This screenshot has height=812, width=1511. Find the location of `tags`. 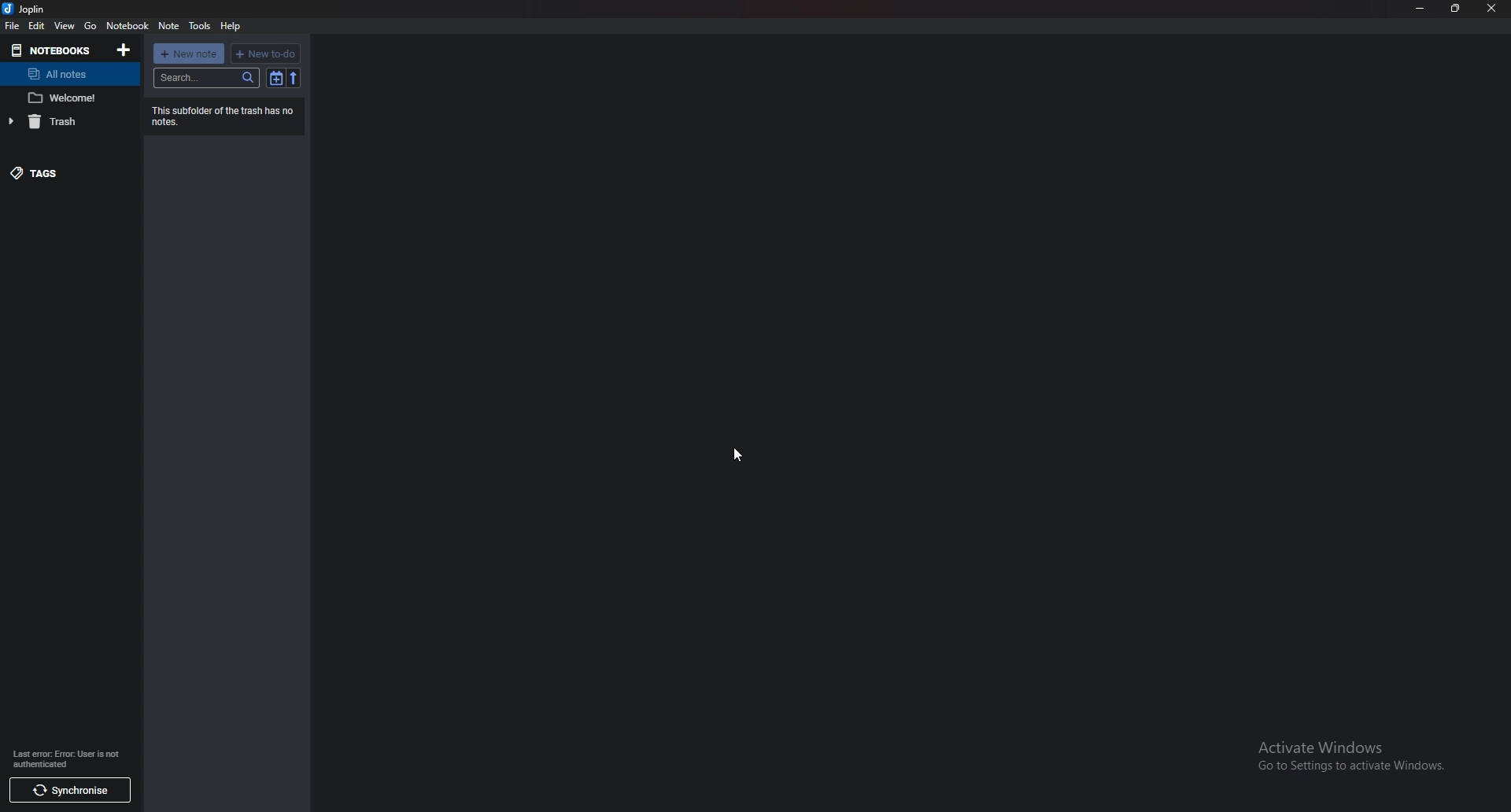

tags is located at coordinates (63, 172).